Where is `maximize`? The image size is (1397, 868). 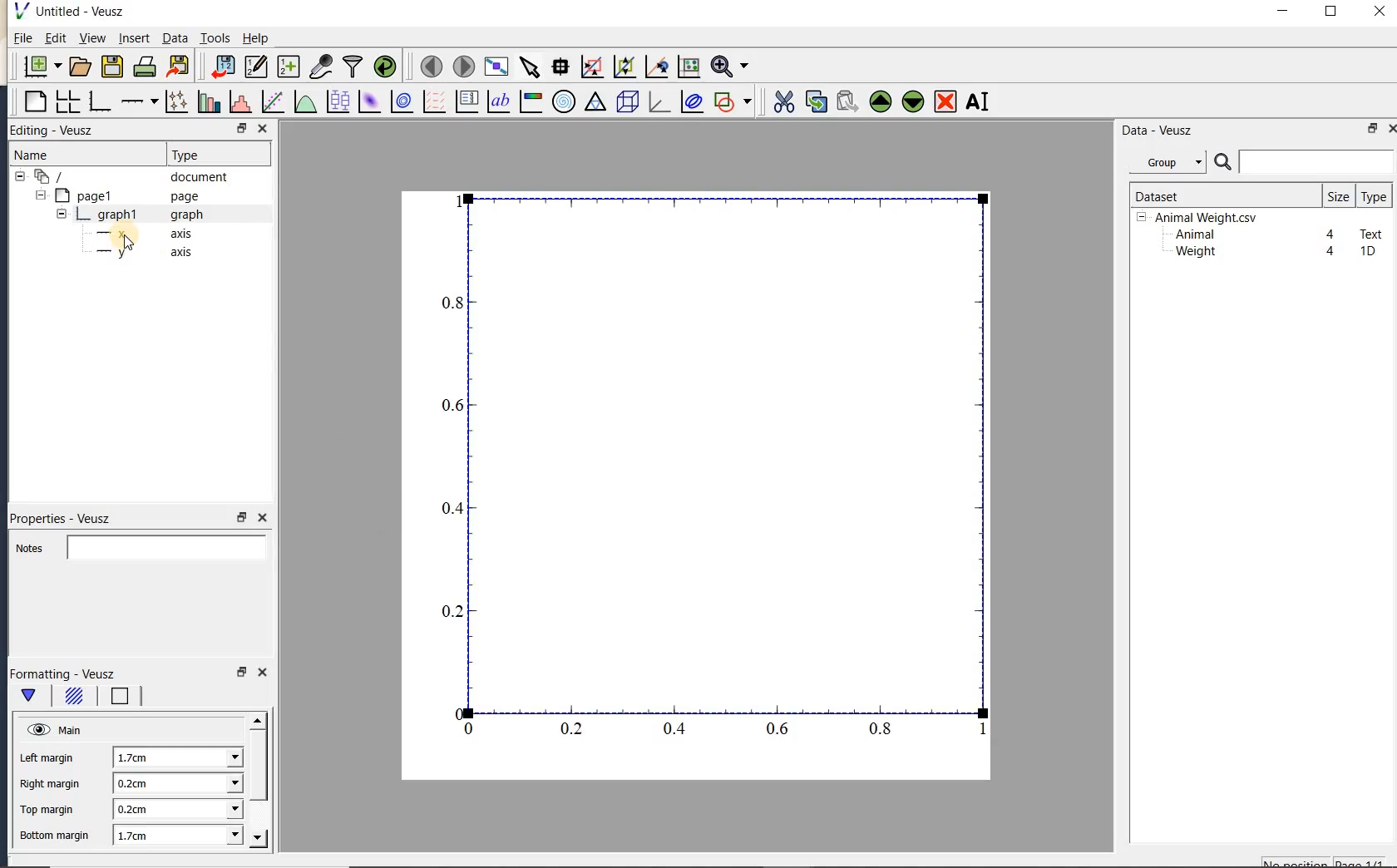
maximize is located at coordinates (1331, 12).